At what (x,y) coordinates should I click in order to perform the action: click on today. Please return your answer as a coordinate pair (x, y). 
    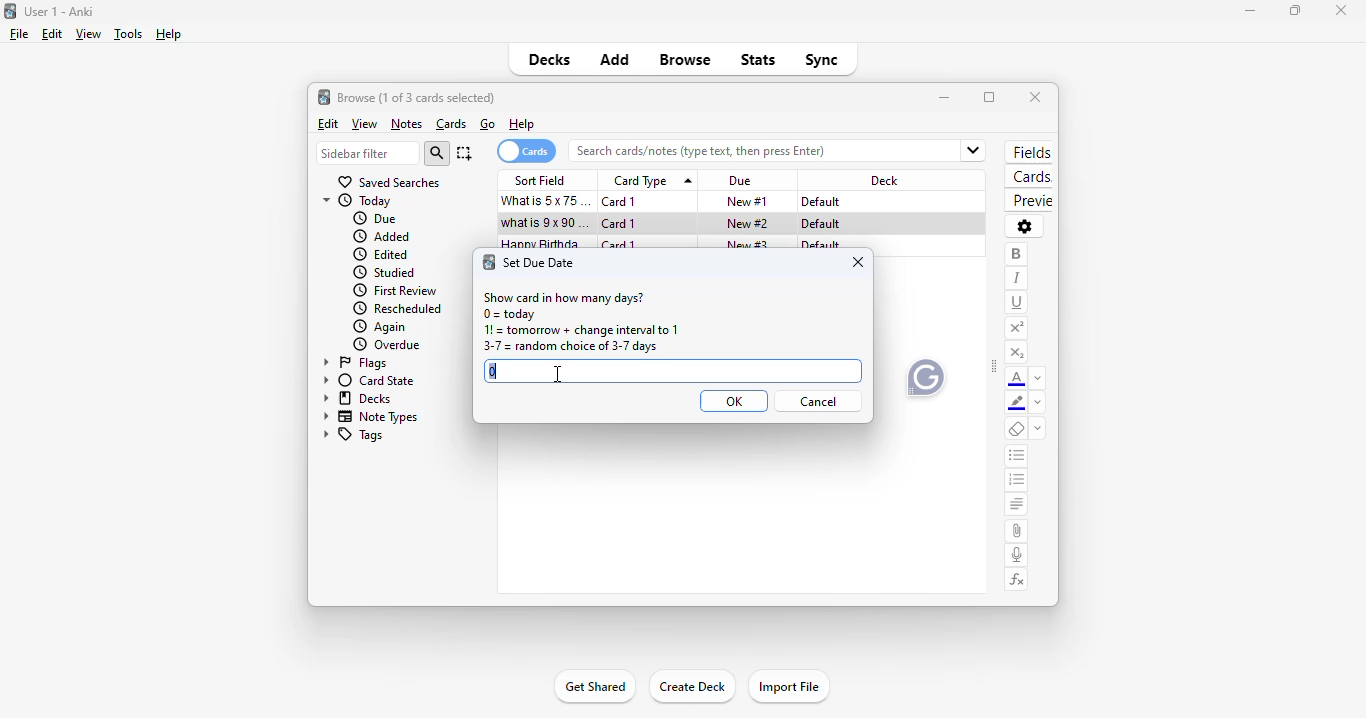
    Looking at the image, I should click on (358, 201).